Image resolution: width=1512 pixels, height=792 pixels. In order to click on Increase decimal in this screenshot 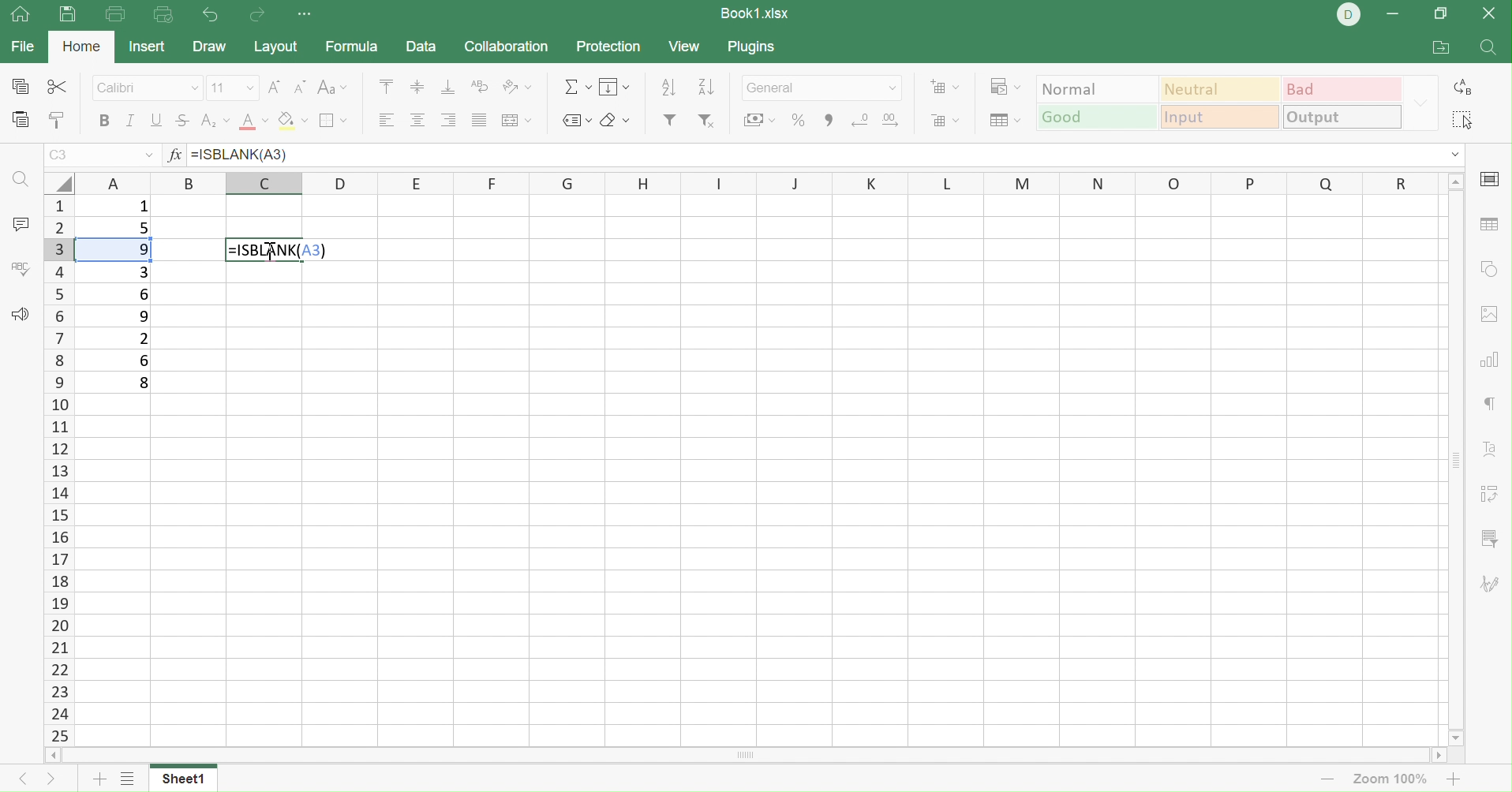, I will do `click(897, 121)`.